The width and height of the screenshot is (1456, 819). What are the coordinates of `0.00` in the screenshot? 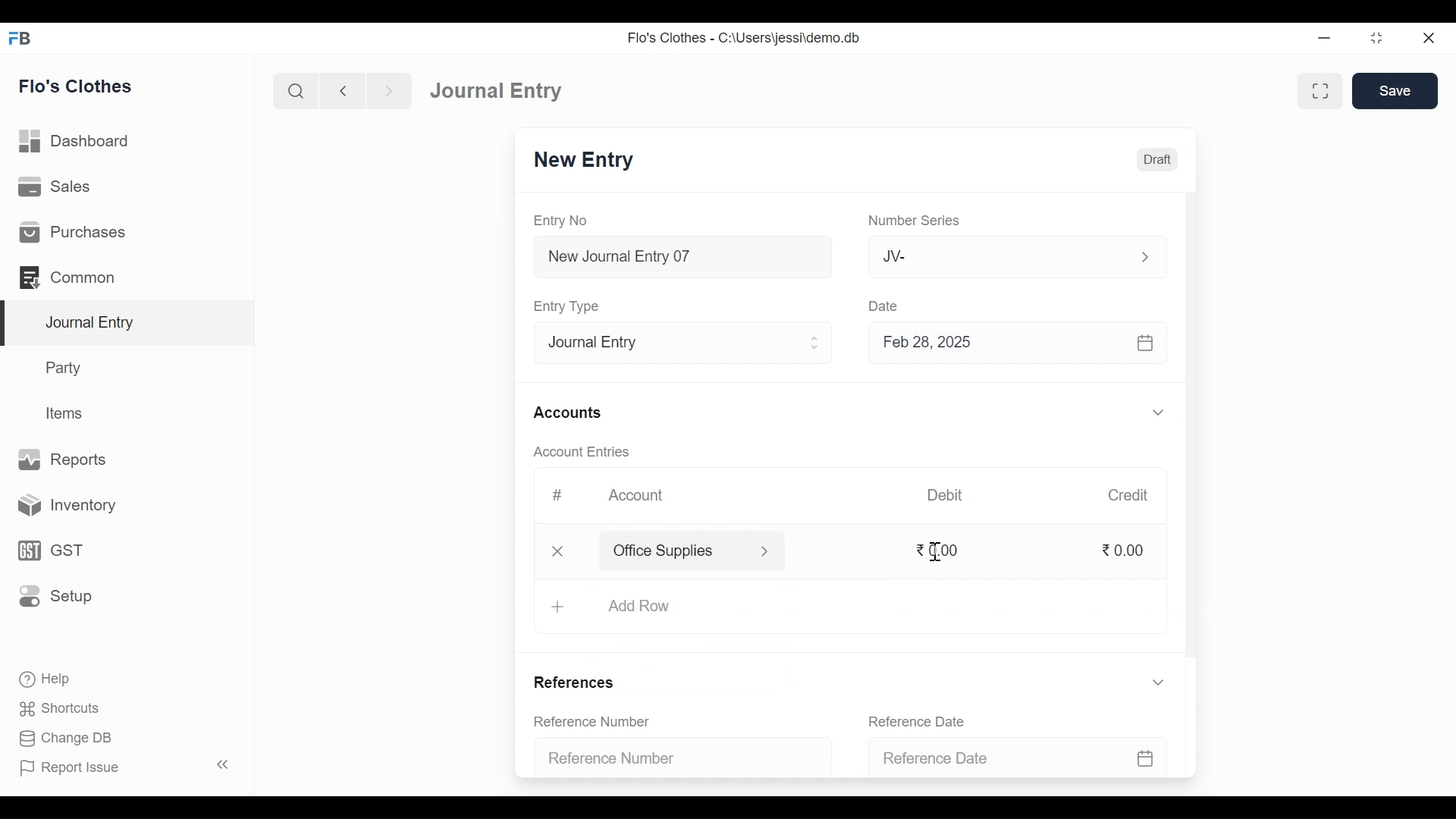 It's located at (943, 550).